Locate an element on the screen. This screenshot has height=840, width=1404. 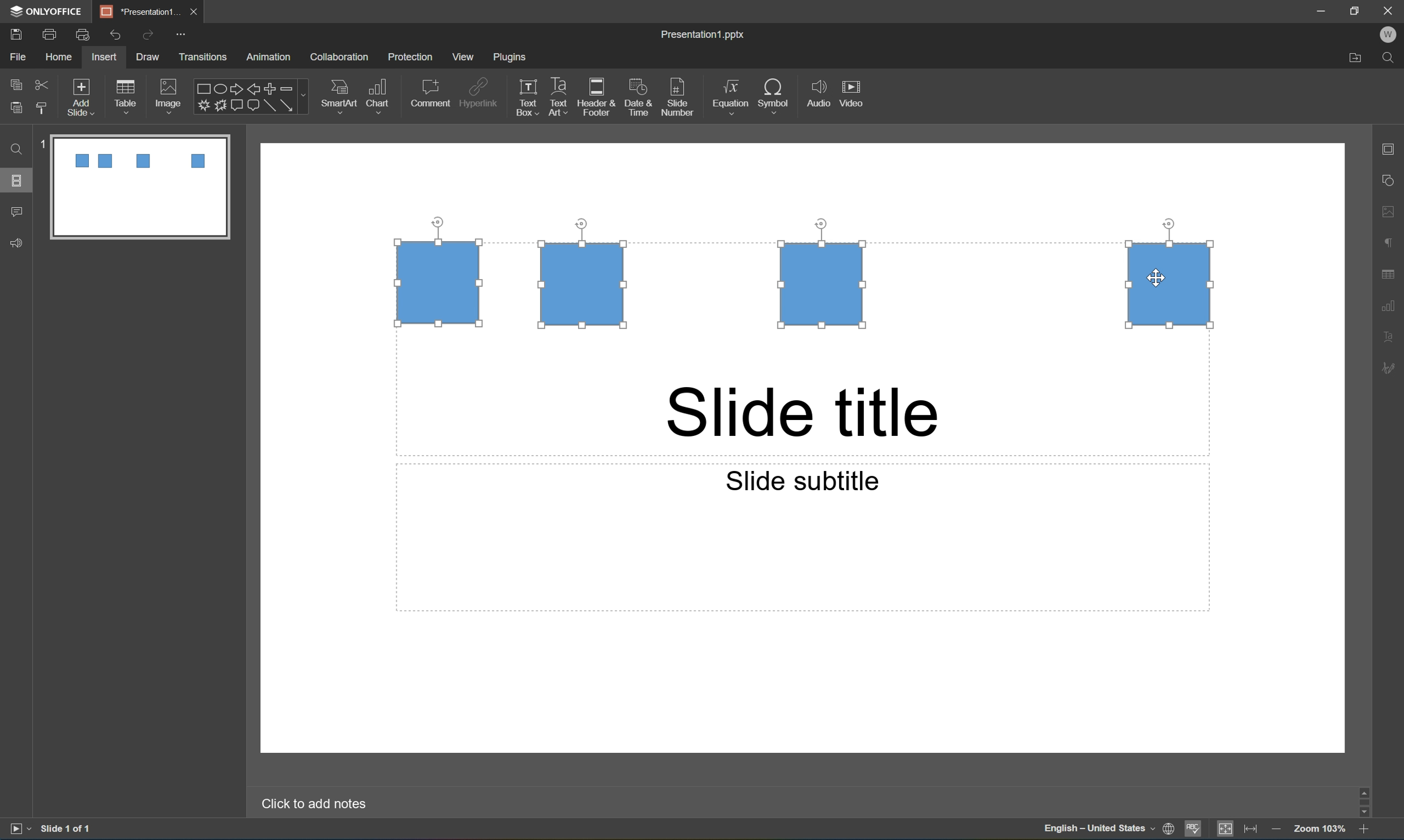
image settings is located at coordinates (1393, 213).